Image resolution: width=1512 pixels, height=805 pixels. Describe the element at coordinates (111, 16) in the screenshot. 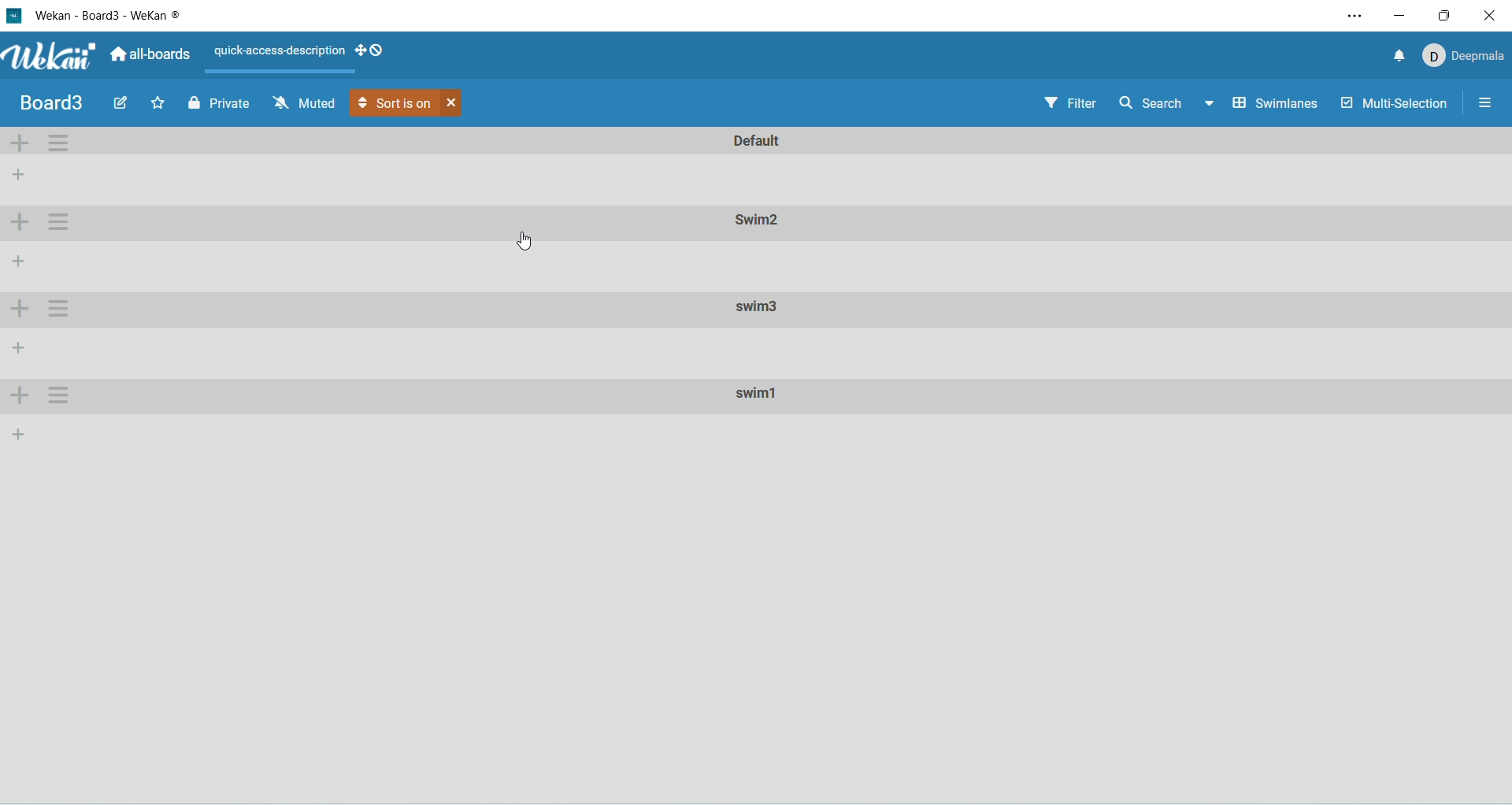

I see `wekan-board3-wekan` at that location.